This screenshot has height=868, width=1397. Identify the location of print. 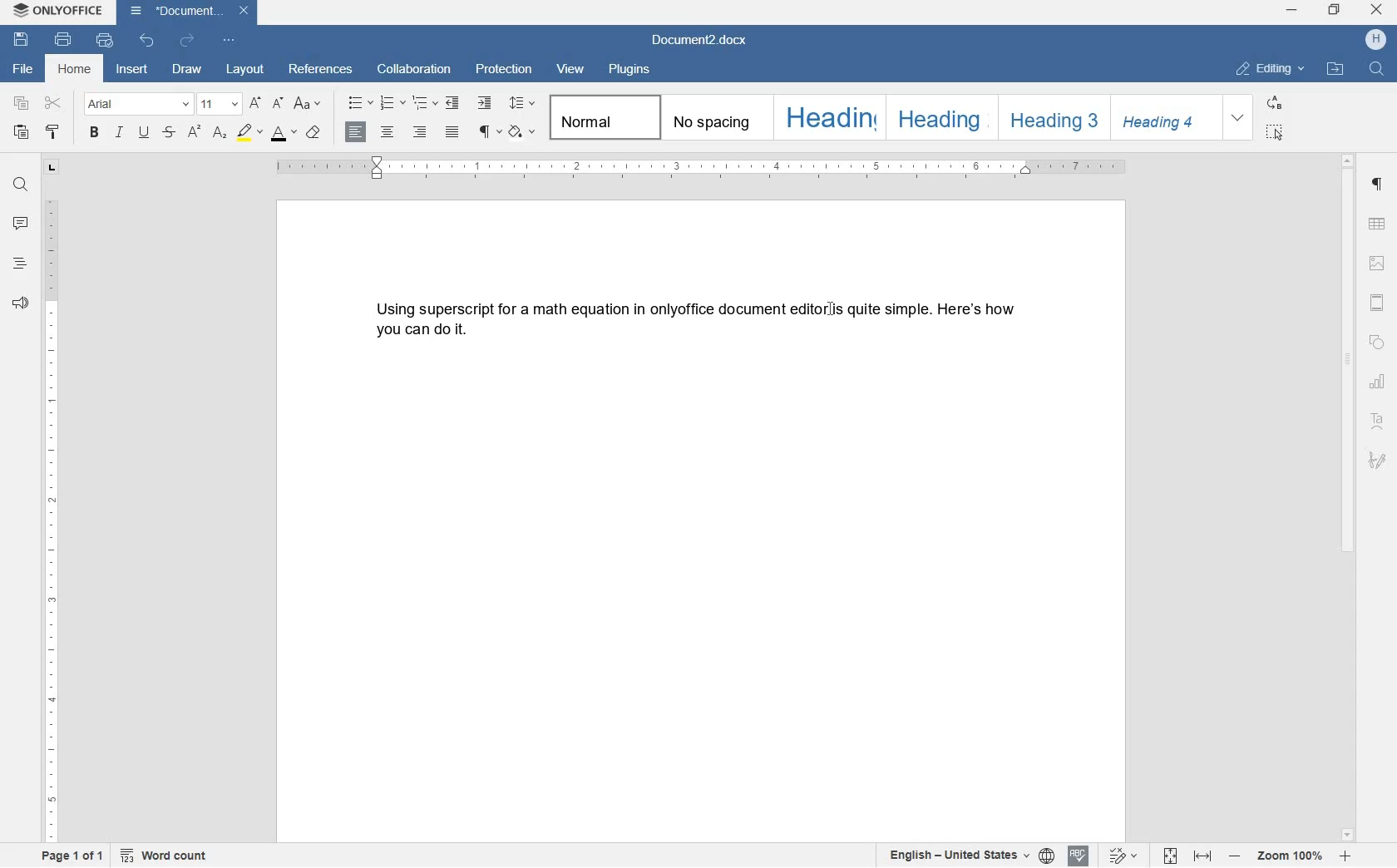
(63, 40).